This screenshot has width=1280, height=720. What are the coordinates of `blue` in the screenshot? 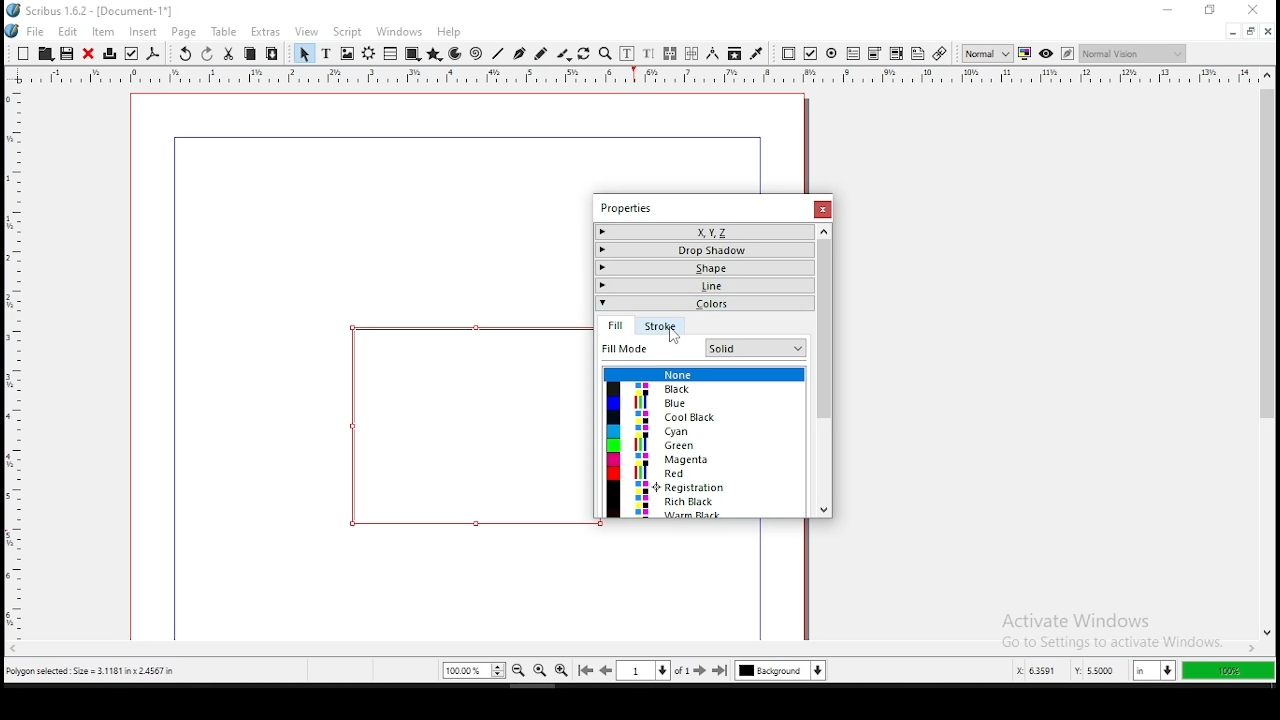 It's located at (703, 402).